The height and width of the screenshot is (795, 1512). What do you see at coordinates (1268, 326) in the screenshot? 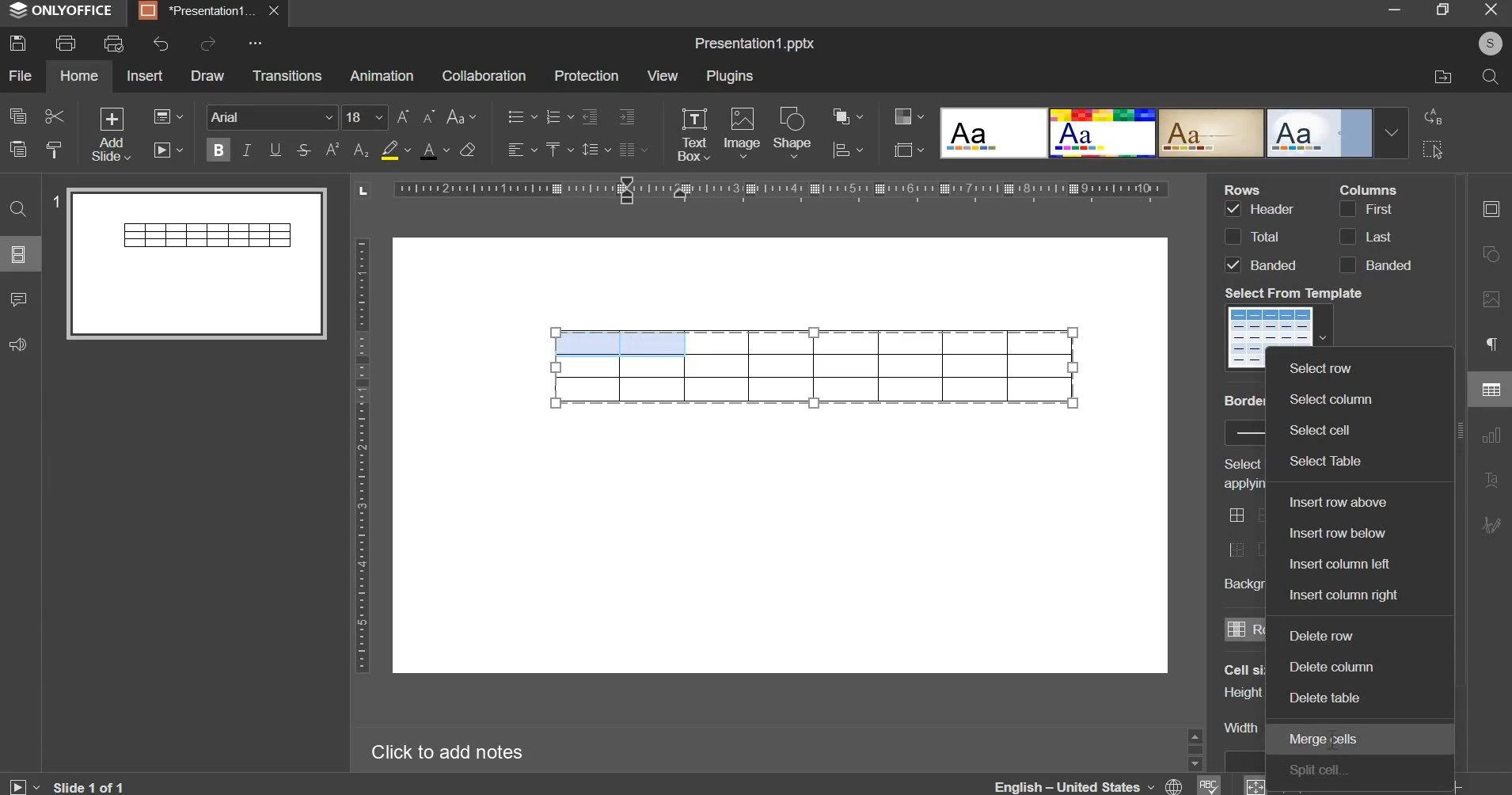
I see `template` at bounding box center [1268, 326].